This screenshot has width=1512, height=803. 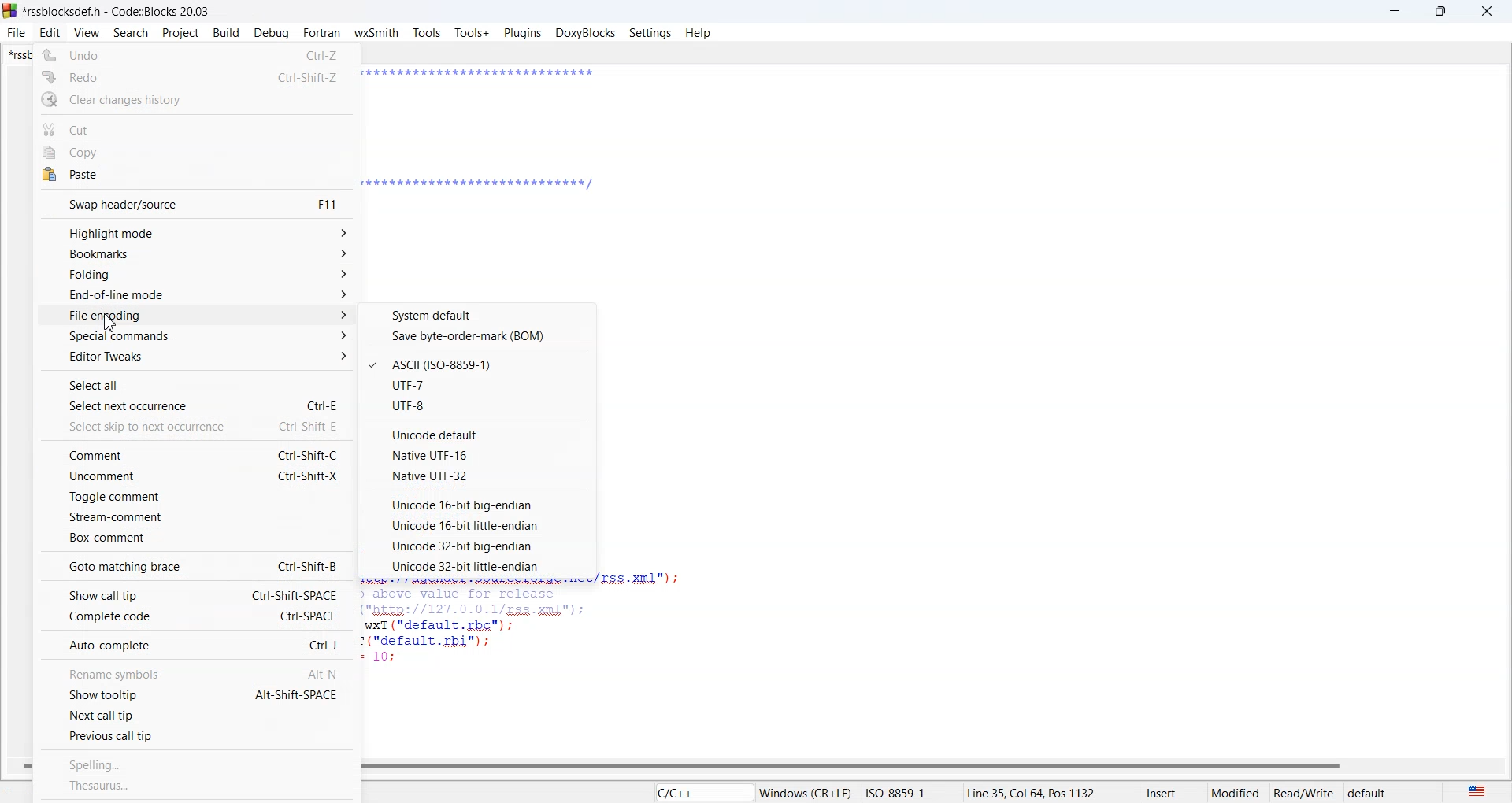 What do you see at coordinates (197, 383) in the screenshot?
I see `Select all` at bounding box center [197, 383].